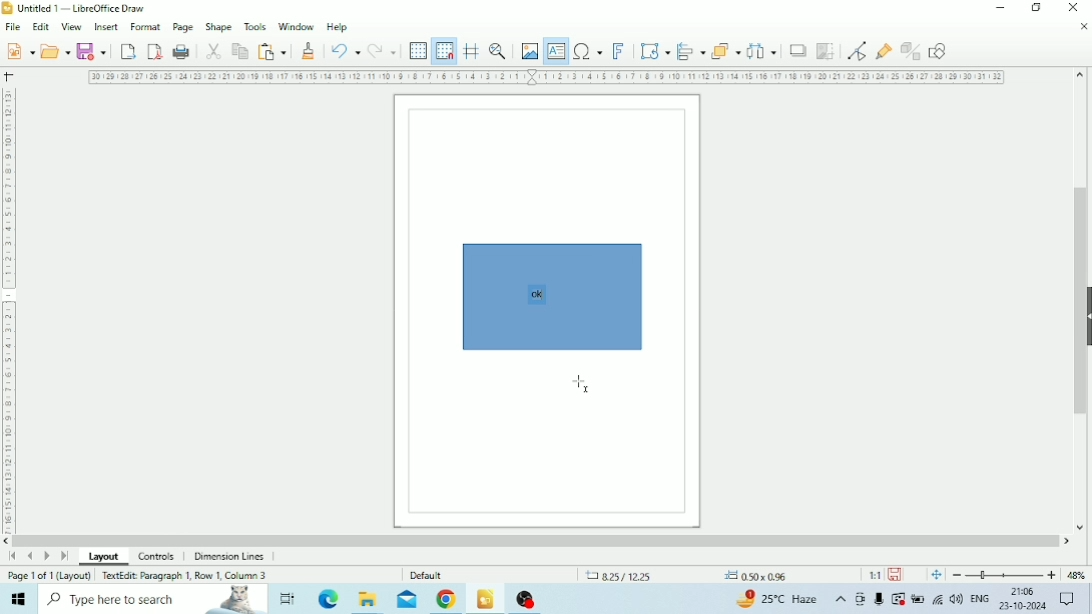  What do you see at coordinates (160, 557) in the screenshot?
I see `Controls` at bounding box center [160, 557].